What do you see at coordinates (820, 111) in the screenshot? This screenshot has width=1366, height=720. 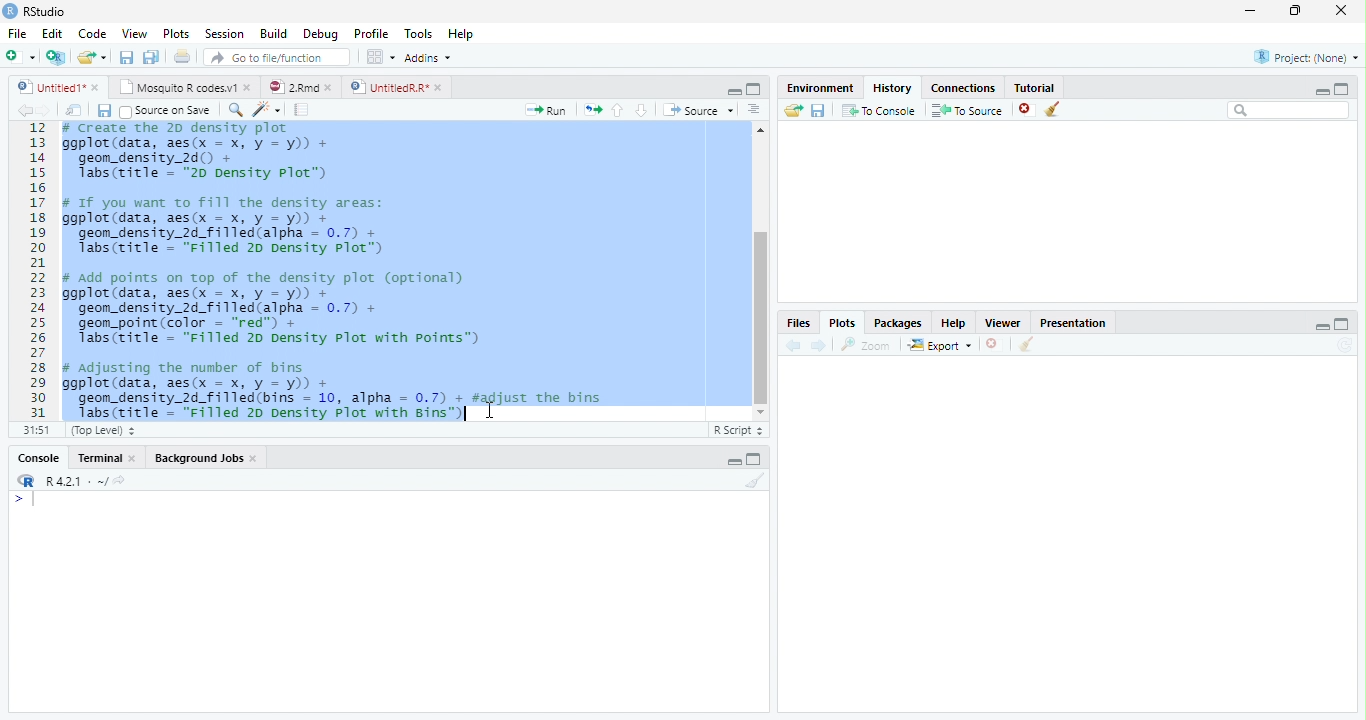 I see `save workspace` at bounding box center [820, 111].